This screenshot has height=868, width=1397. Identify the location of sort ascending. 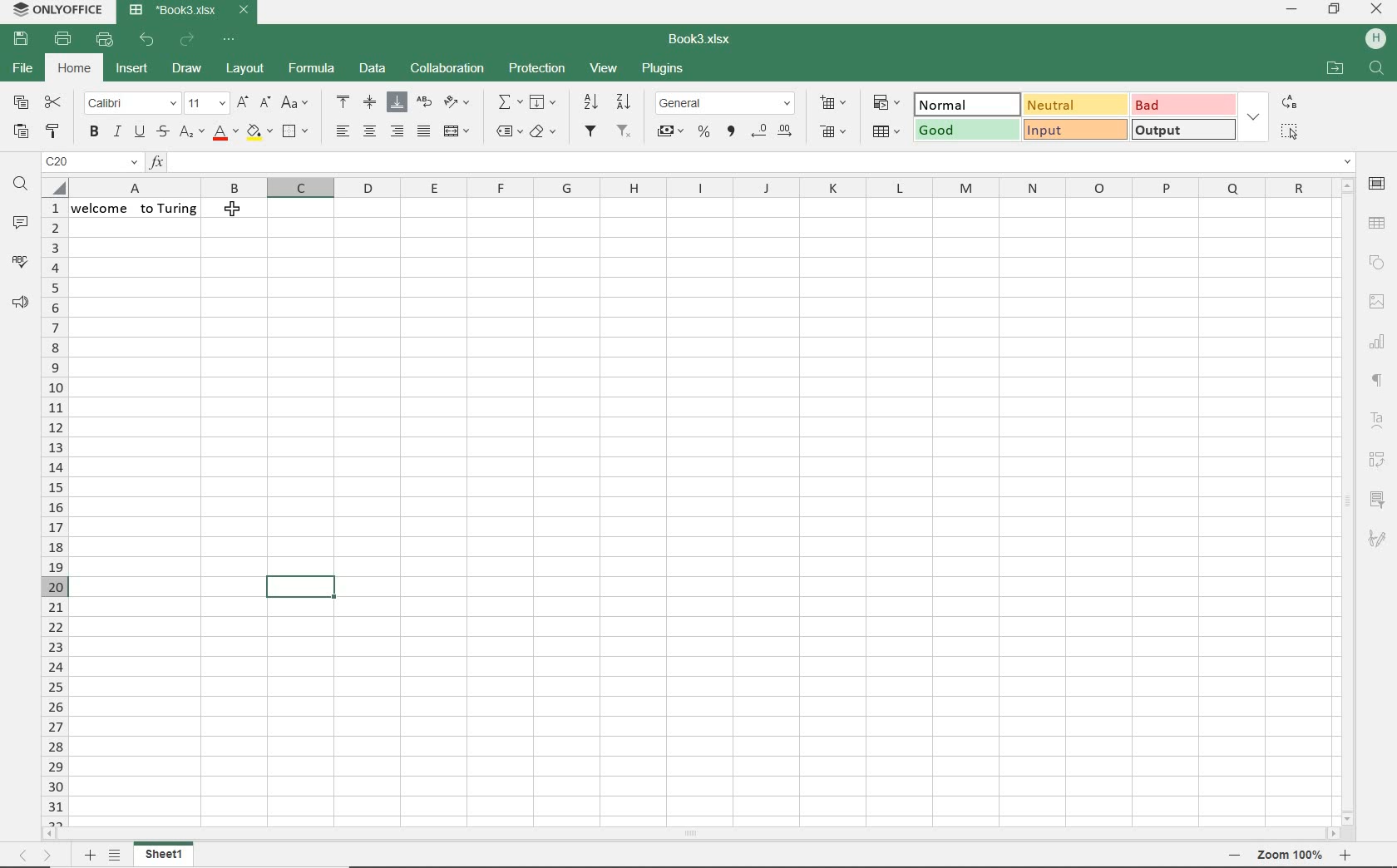
(591, 102).